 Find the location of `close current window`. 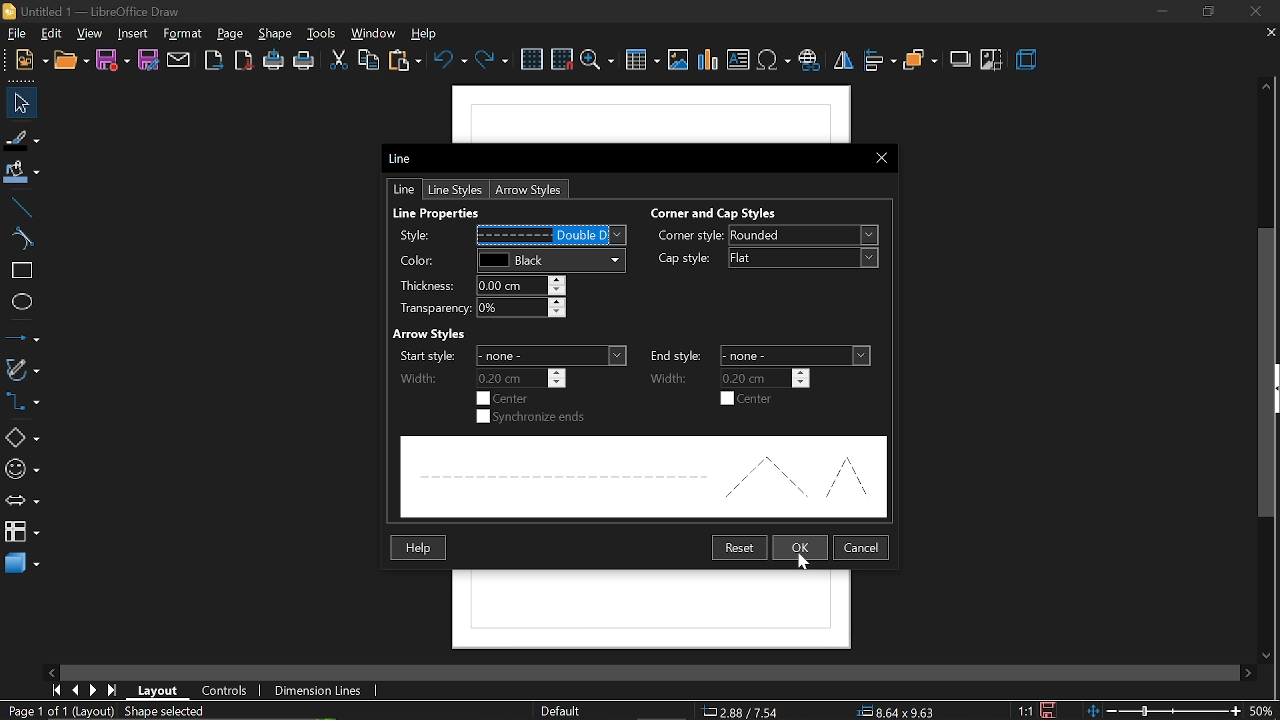

close current window is located at coordinates (882, 158).